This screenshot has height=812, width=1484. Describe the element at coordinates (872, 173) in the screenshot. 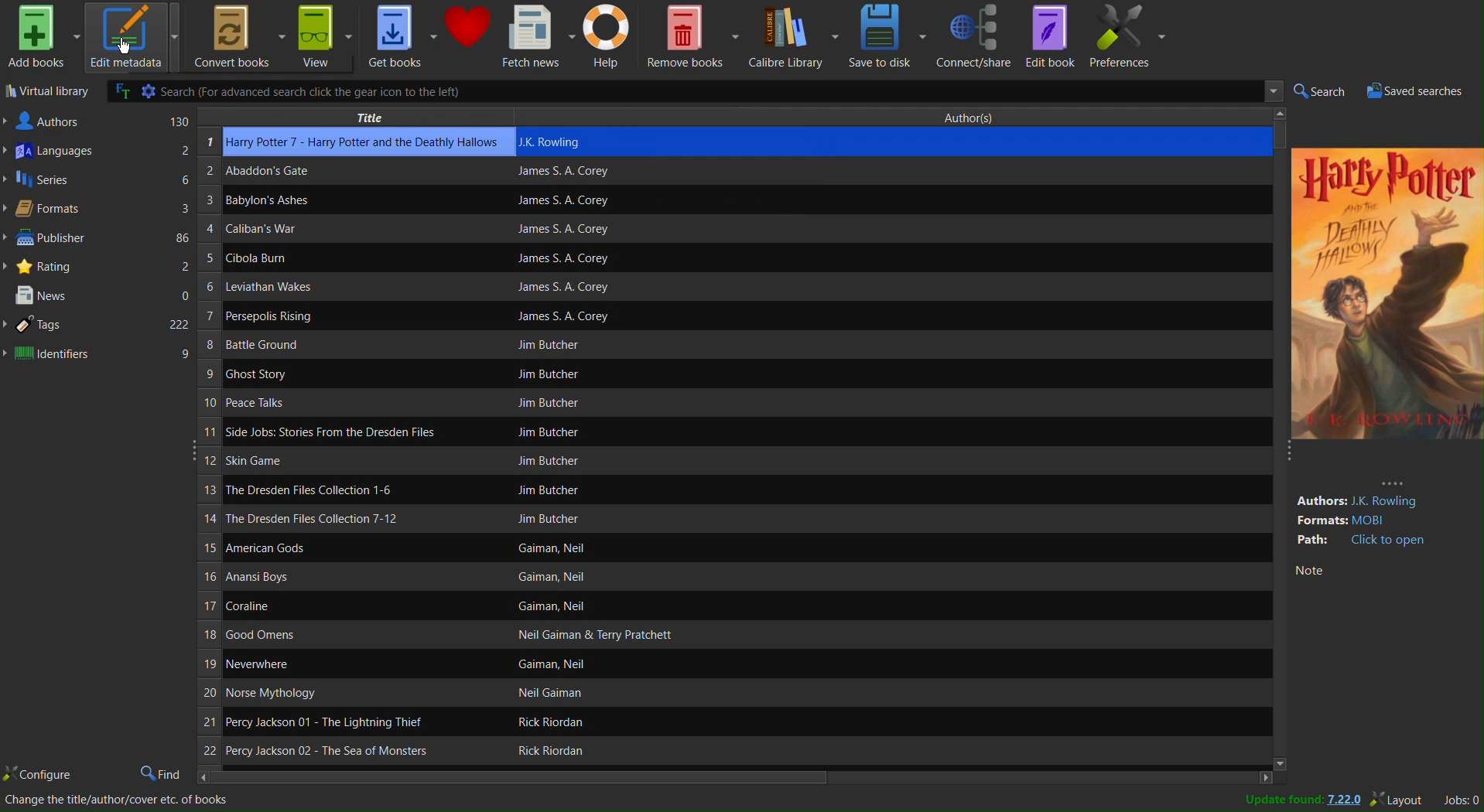

I see `author's name` at that location.